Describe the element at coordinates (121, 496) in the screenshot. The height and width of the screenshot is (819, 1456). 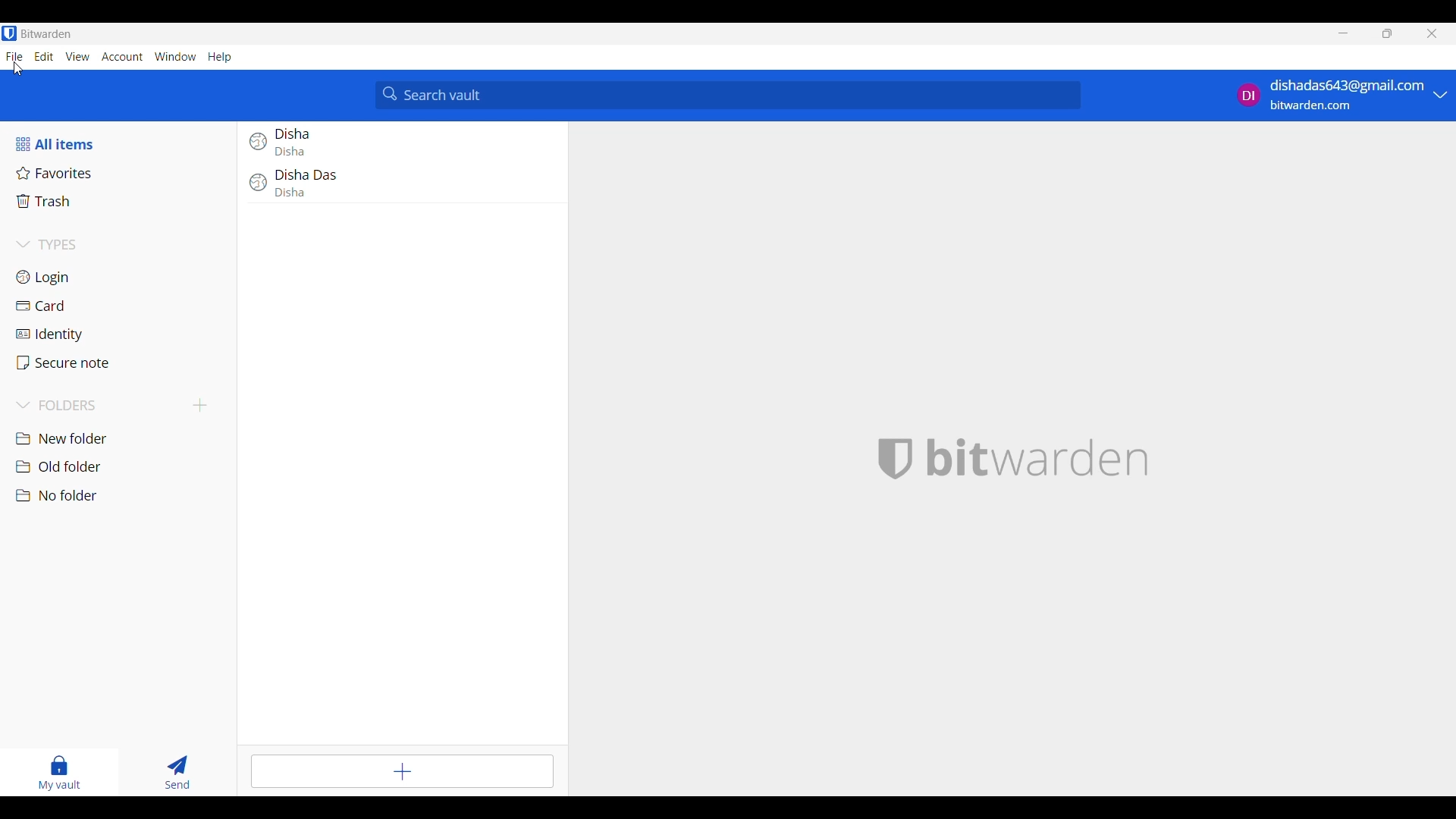
I see `No folder` at that location.